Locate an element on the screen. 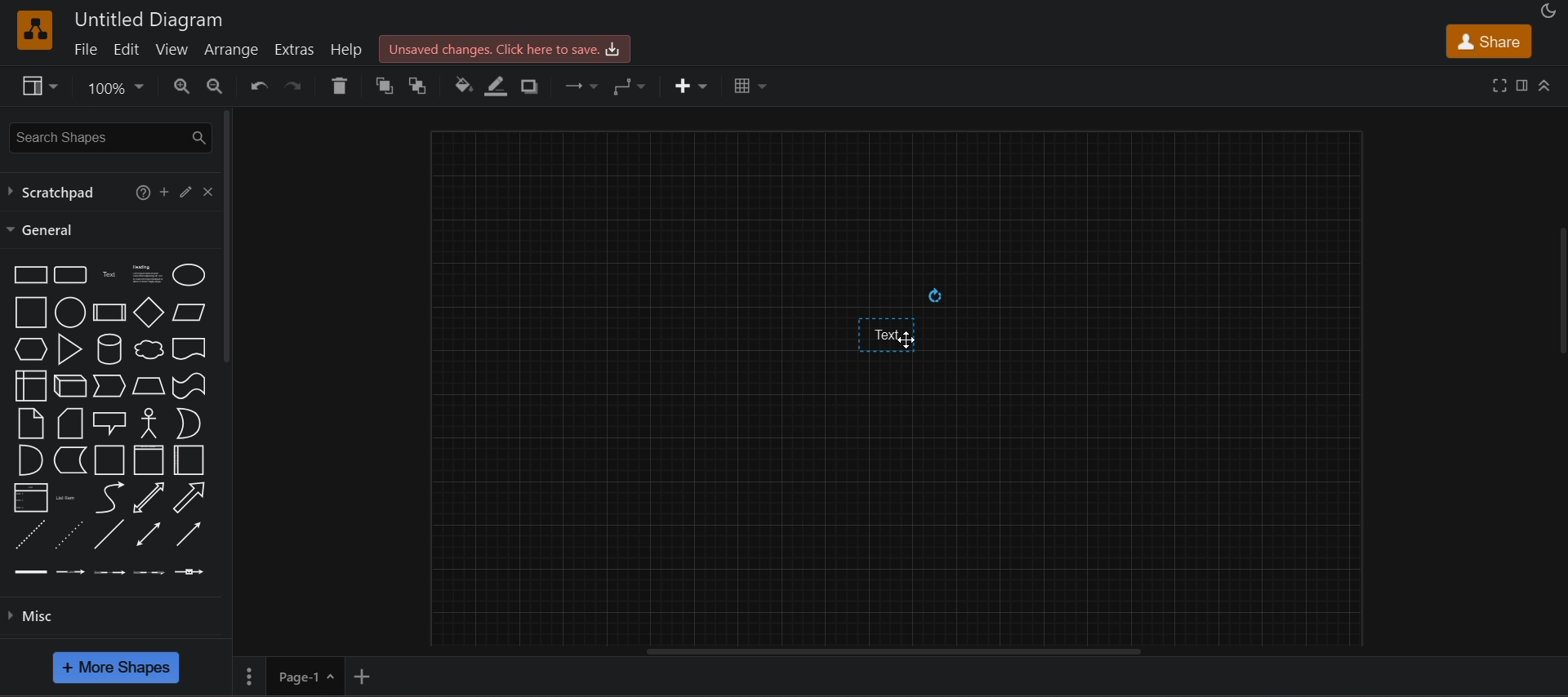 The width and height of the screenshot is (1568, 697). Actor is located at coordinates (149, 423).